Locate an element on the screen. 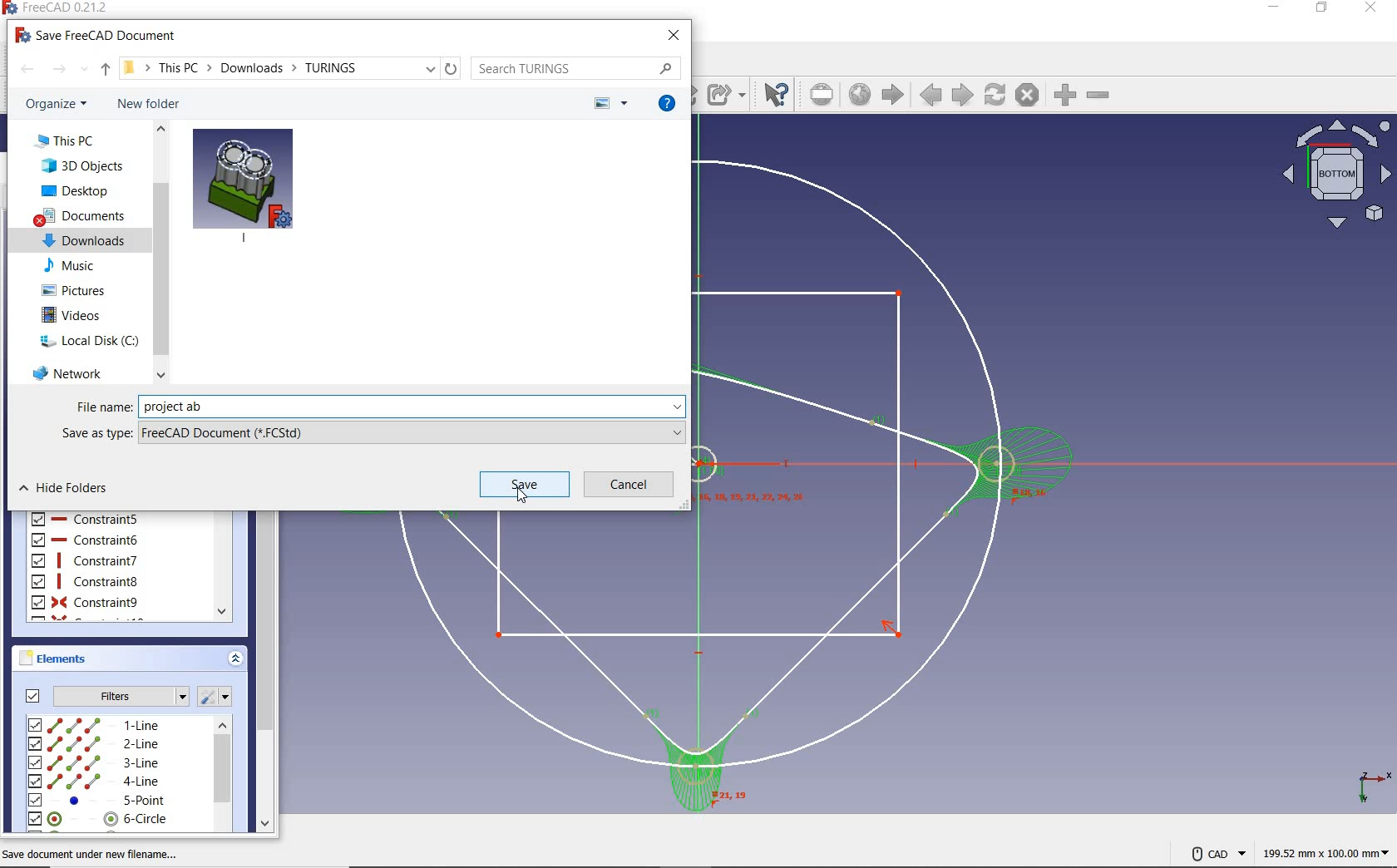 The height and width of the screenshot is (868, 1397). save as type: FreeCAD document (*.FCStd) is located at coordinates (373, 432).